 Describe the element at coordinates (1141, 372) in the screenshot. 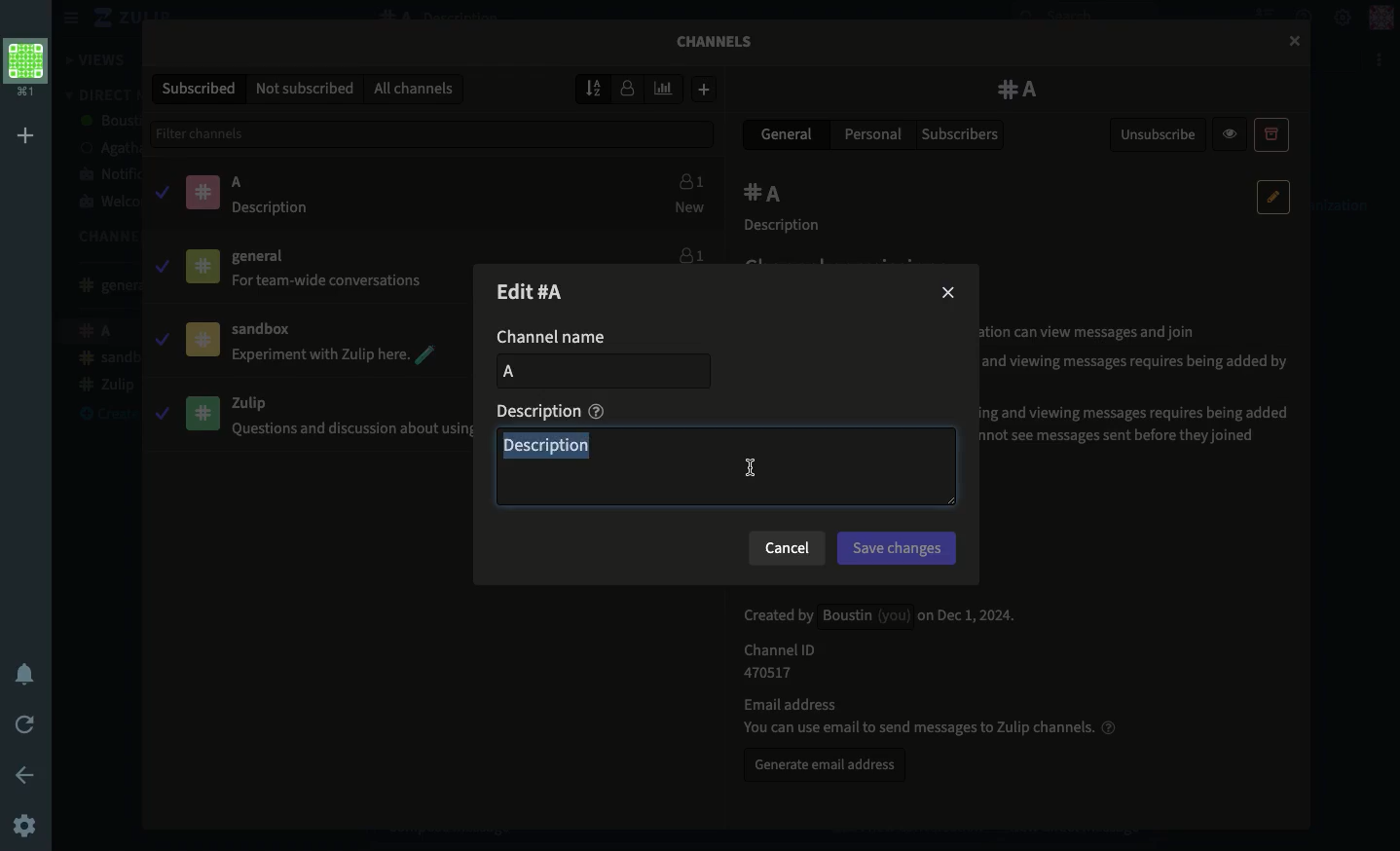

I see `O Private, shared history: Joining and viewing messages requires being added by
a subscriber` at that location.